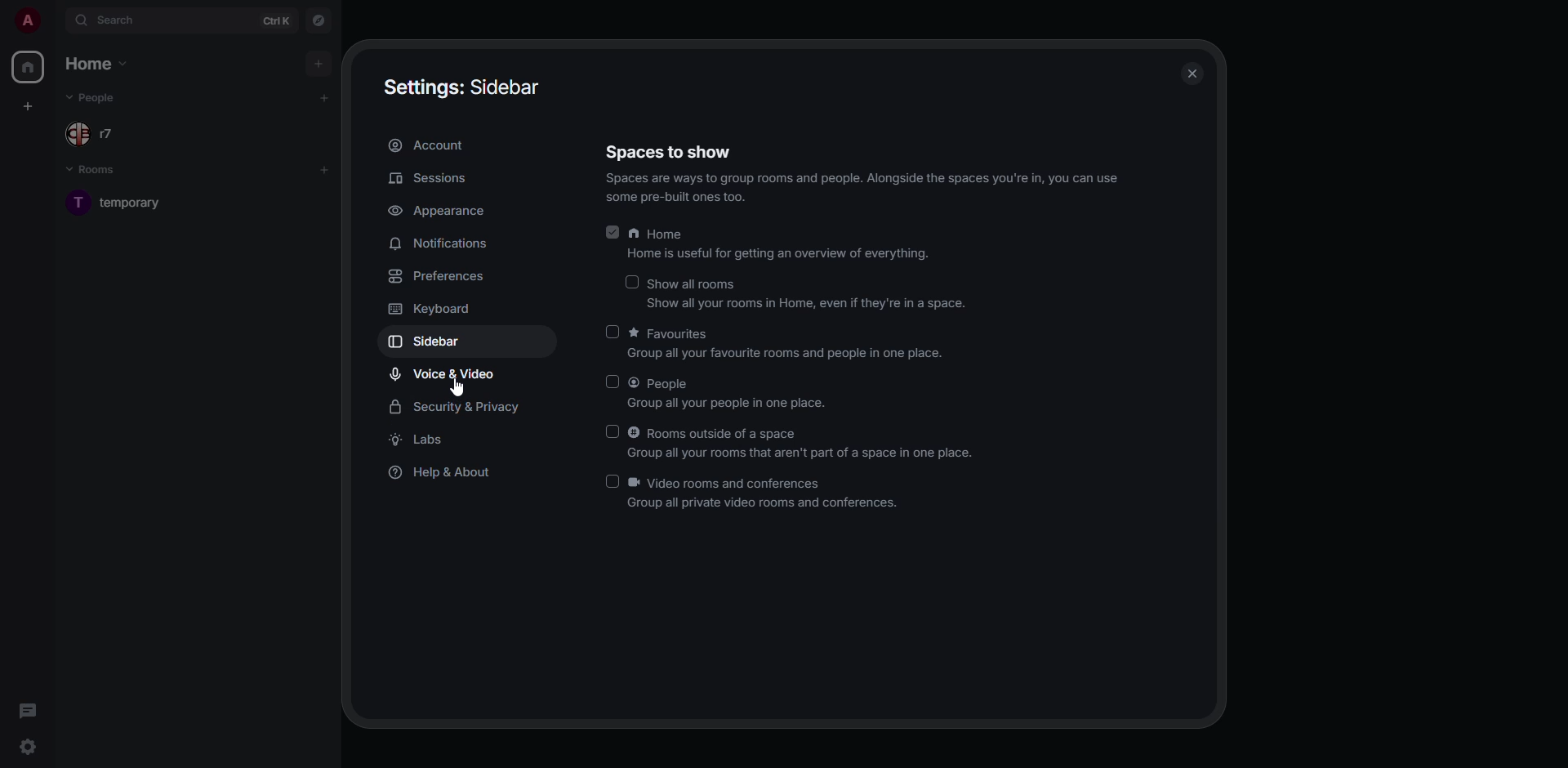 This screenshot has height=768, width=1568. I want to click on add, so click(325, 97).